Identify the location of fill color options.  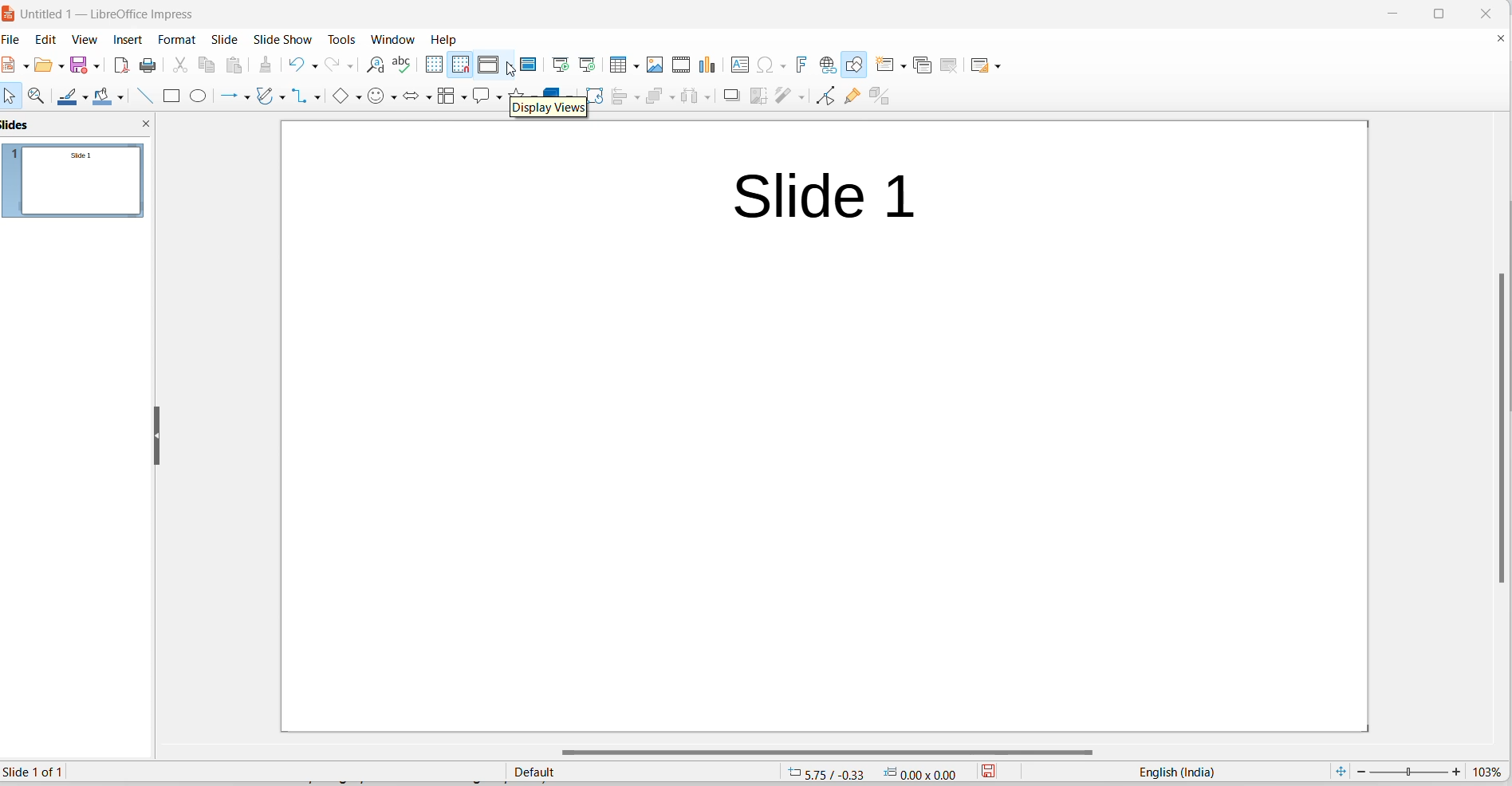
(124, 96).